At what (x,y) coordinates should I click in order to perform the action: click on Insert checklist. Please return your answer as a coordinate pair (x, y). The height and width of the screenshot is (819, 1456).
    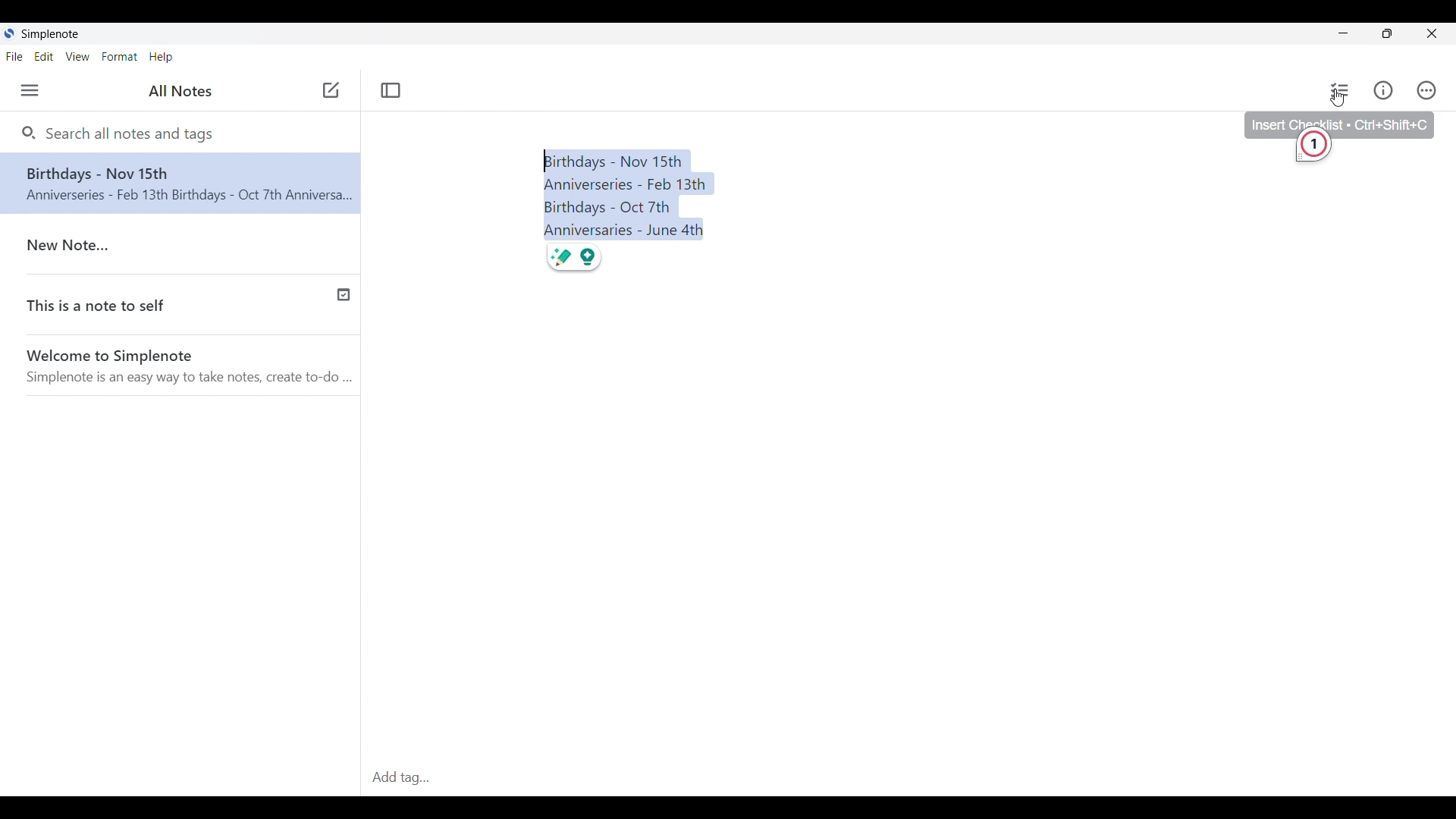
    Looking at the image, I should click on (1341, 90).